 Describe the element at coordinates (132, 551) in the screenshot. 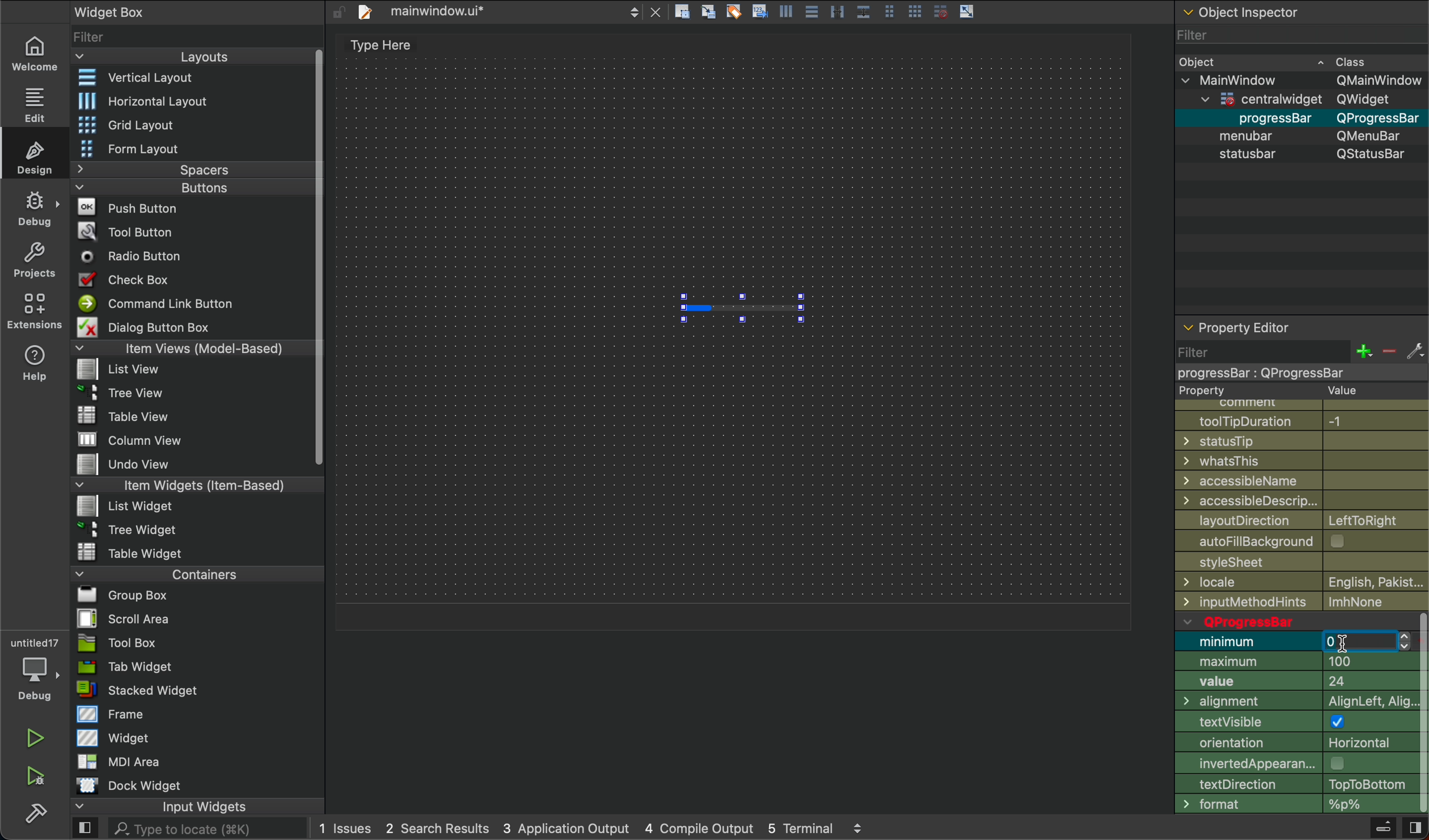

I see `File` at that location.